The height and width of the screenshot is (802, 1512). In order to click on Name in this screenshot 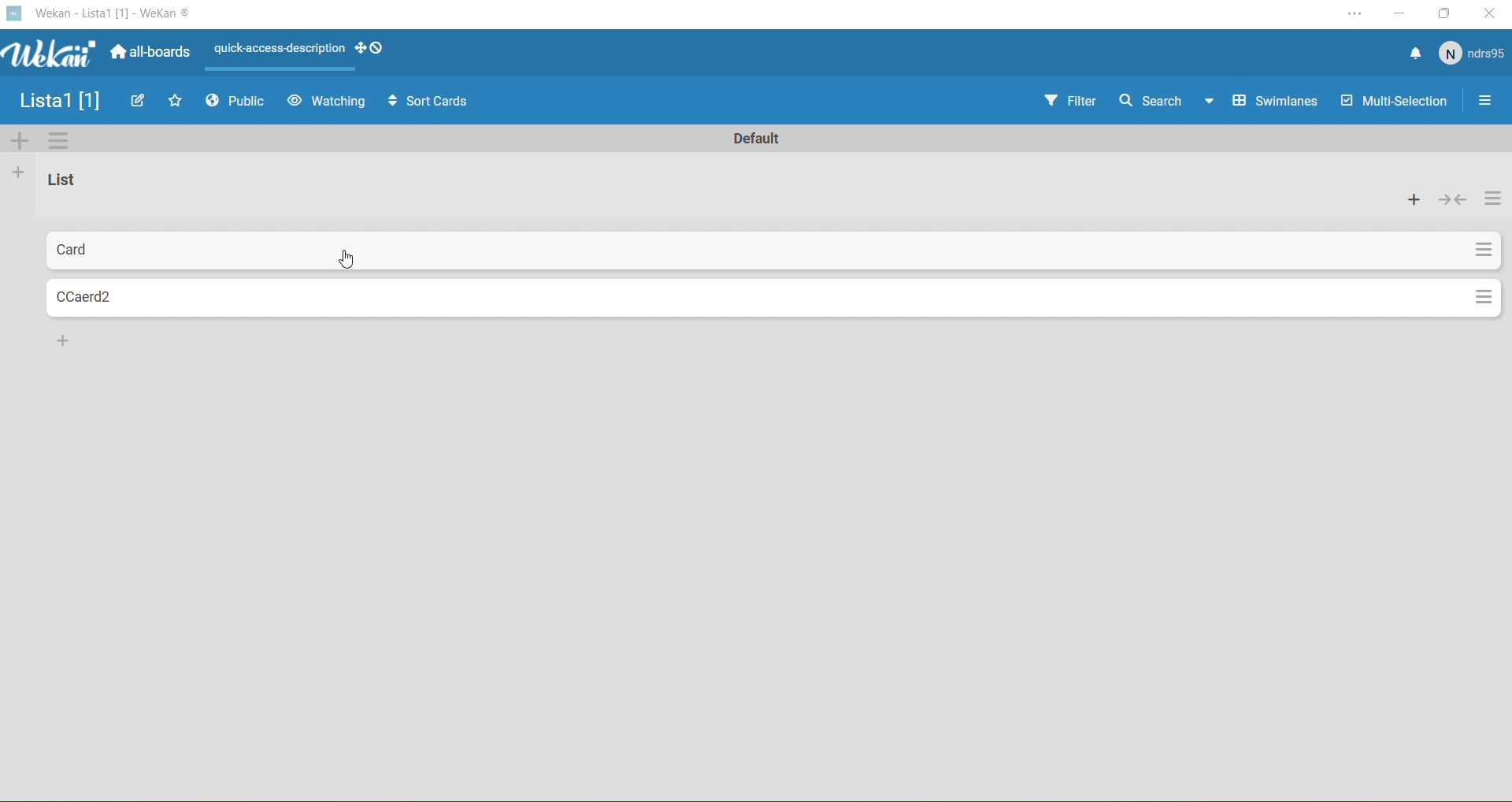, I will do `click(87, 180)`.